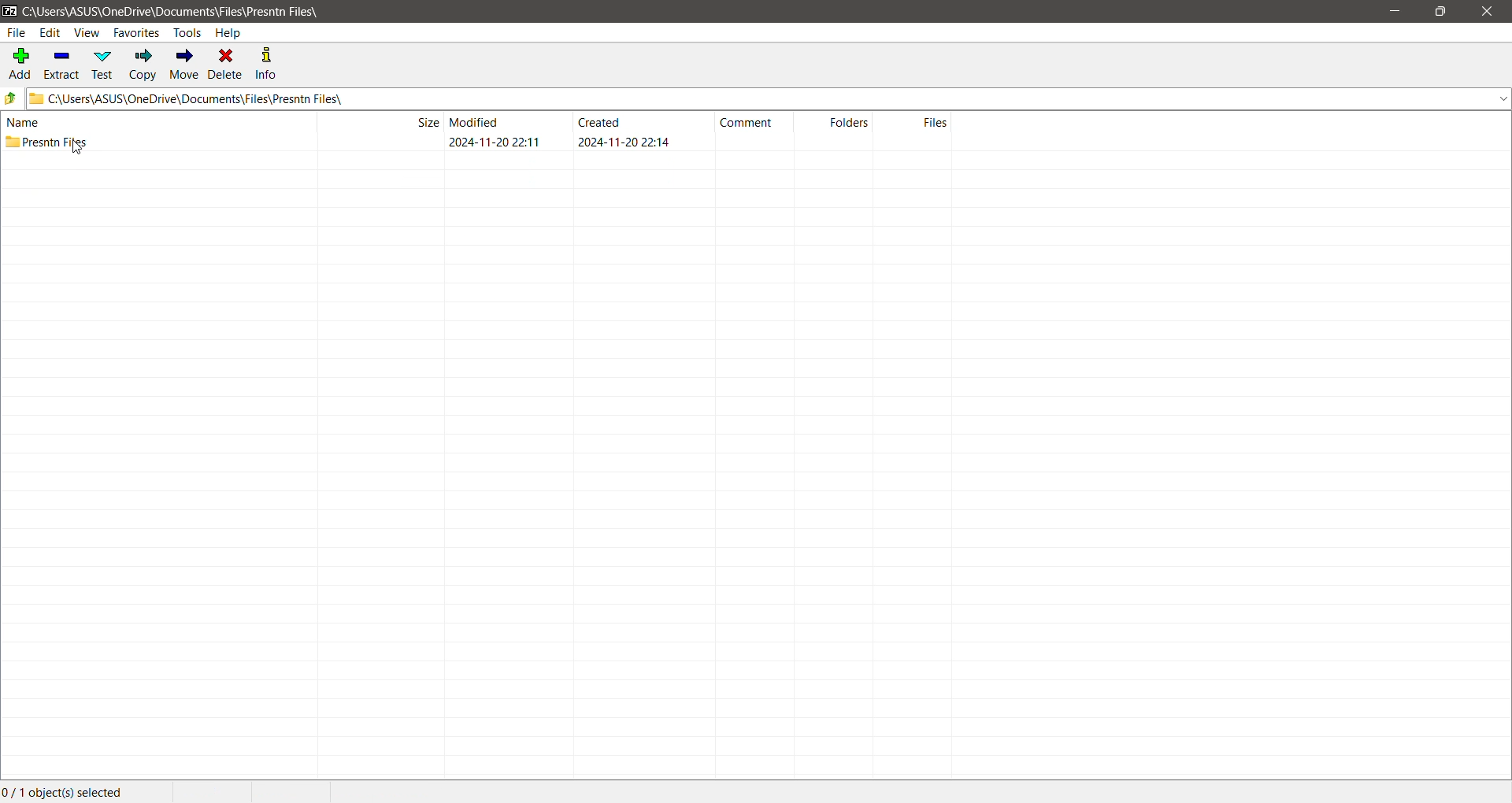 The image size is (1512, 803). Describe the element at coordinates (187, 33) in the screenshot. I see `Tools` at that location.